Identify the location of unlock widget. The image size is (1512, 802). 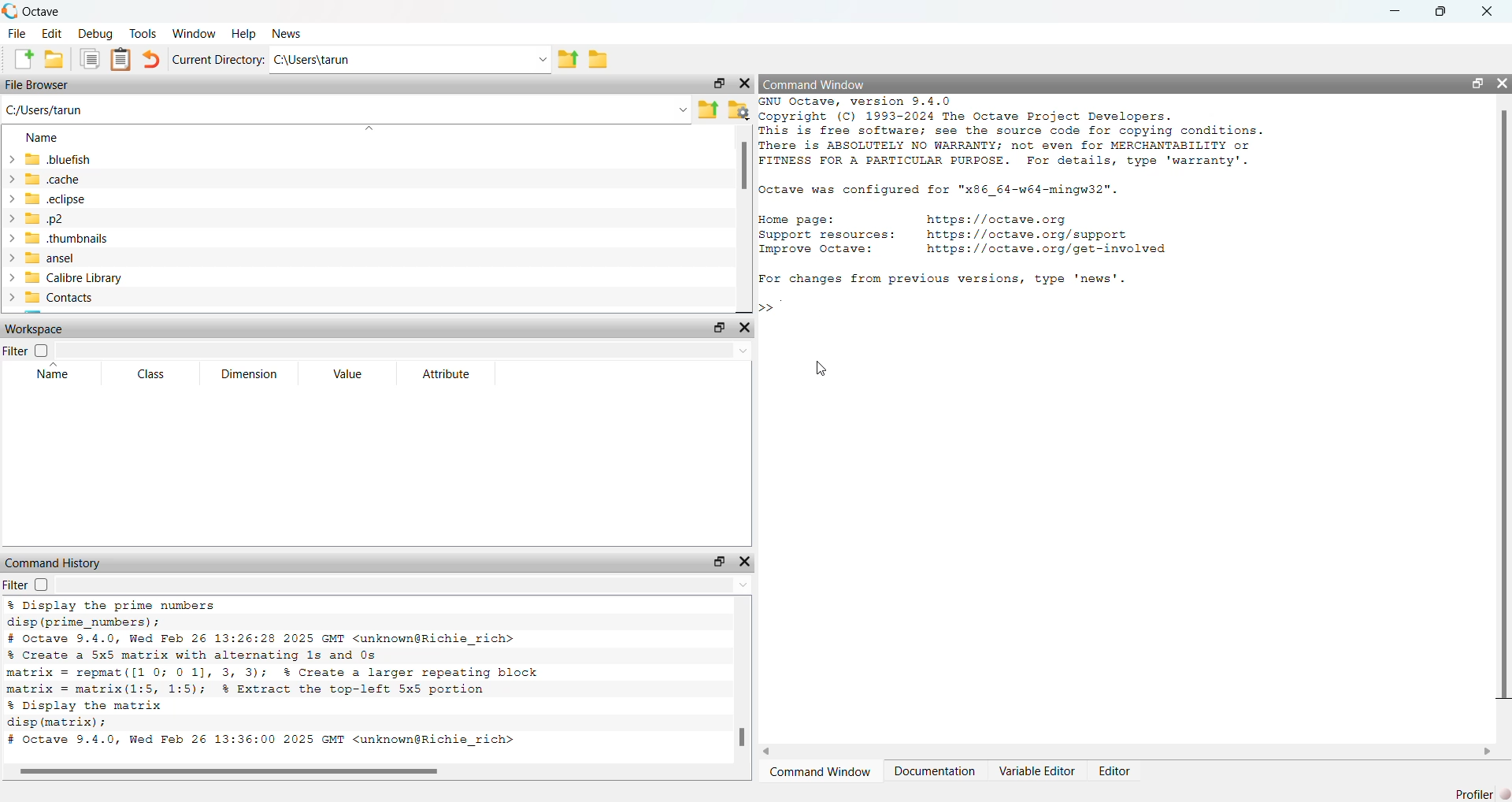
(1479, 83).